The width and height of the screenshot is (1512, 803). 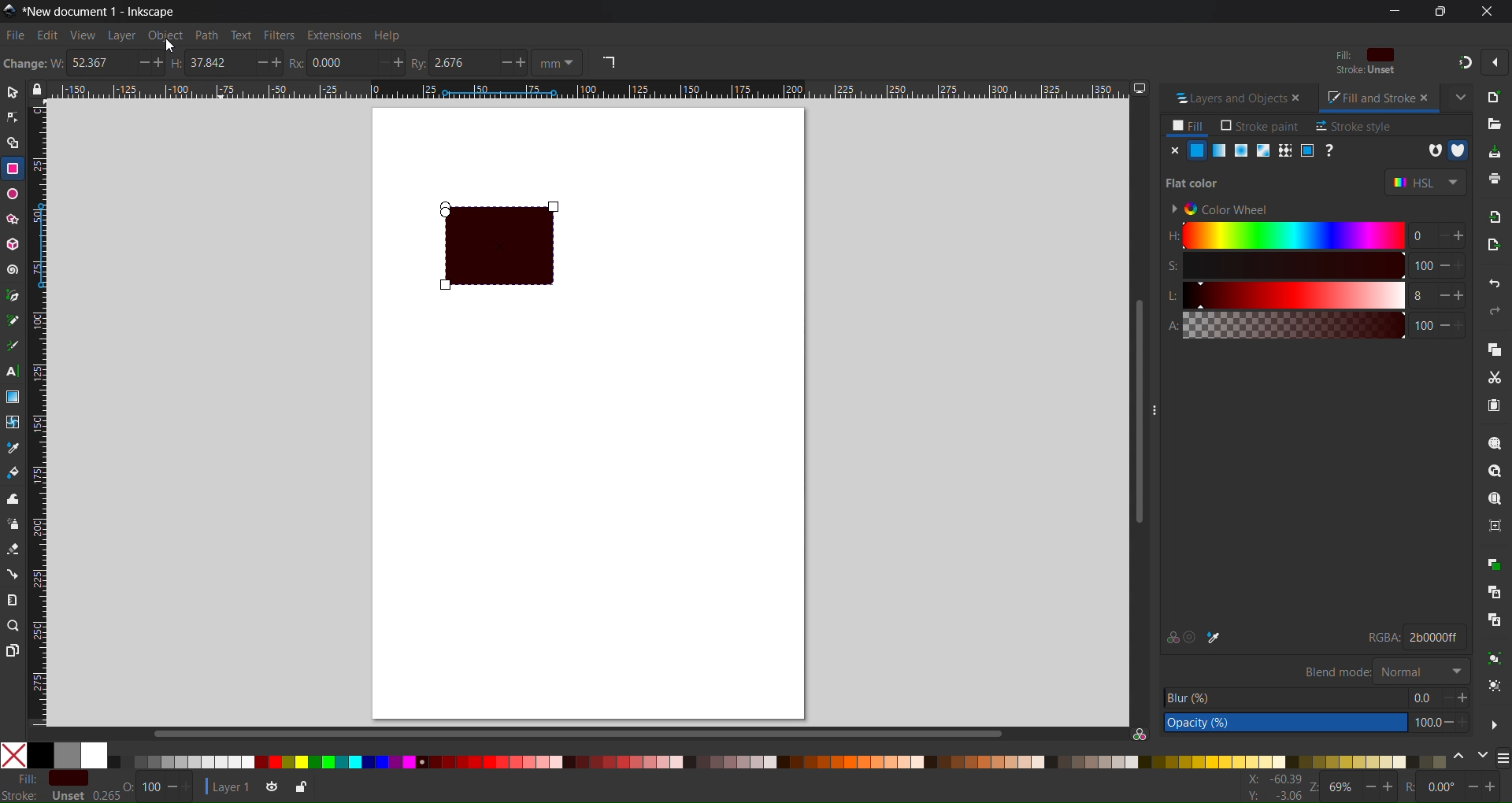 I want to click on Group, so click(x=1493, y=660).